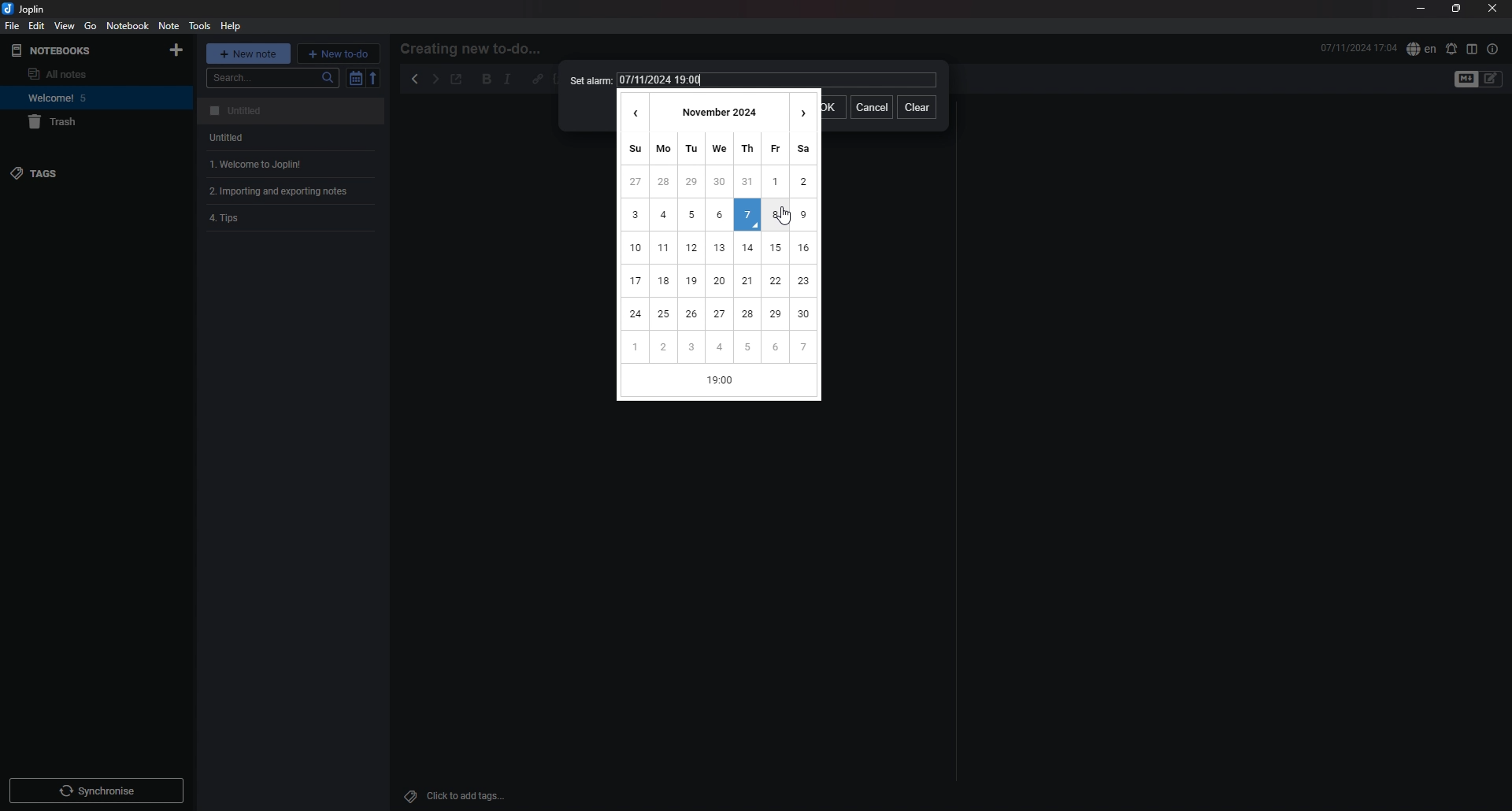 This screenshot has width=1512, height=811. I want to click on note, so click(292, 164).